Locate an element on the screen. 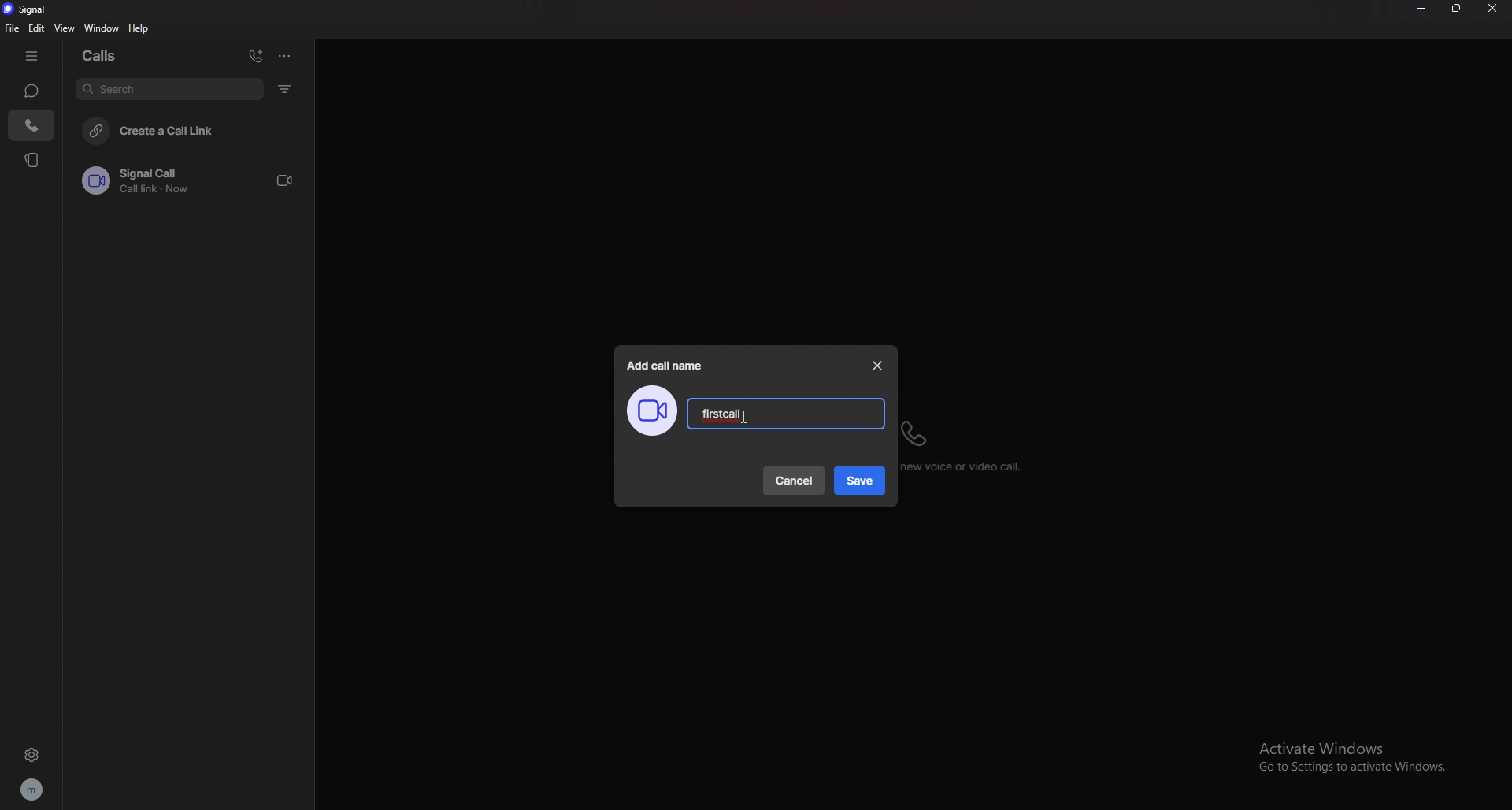 This screenshot has height=810, width=1512. minimize is located at coordinates (1420, 9).